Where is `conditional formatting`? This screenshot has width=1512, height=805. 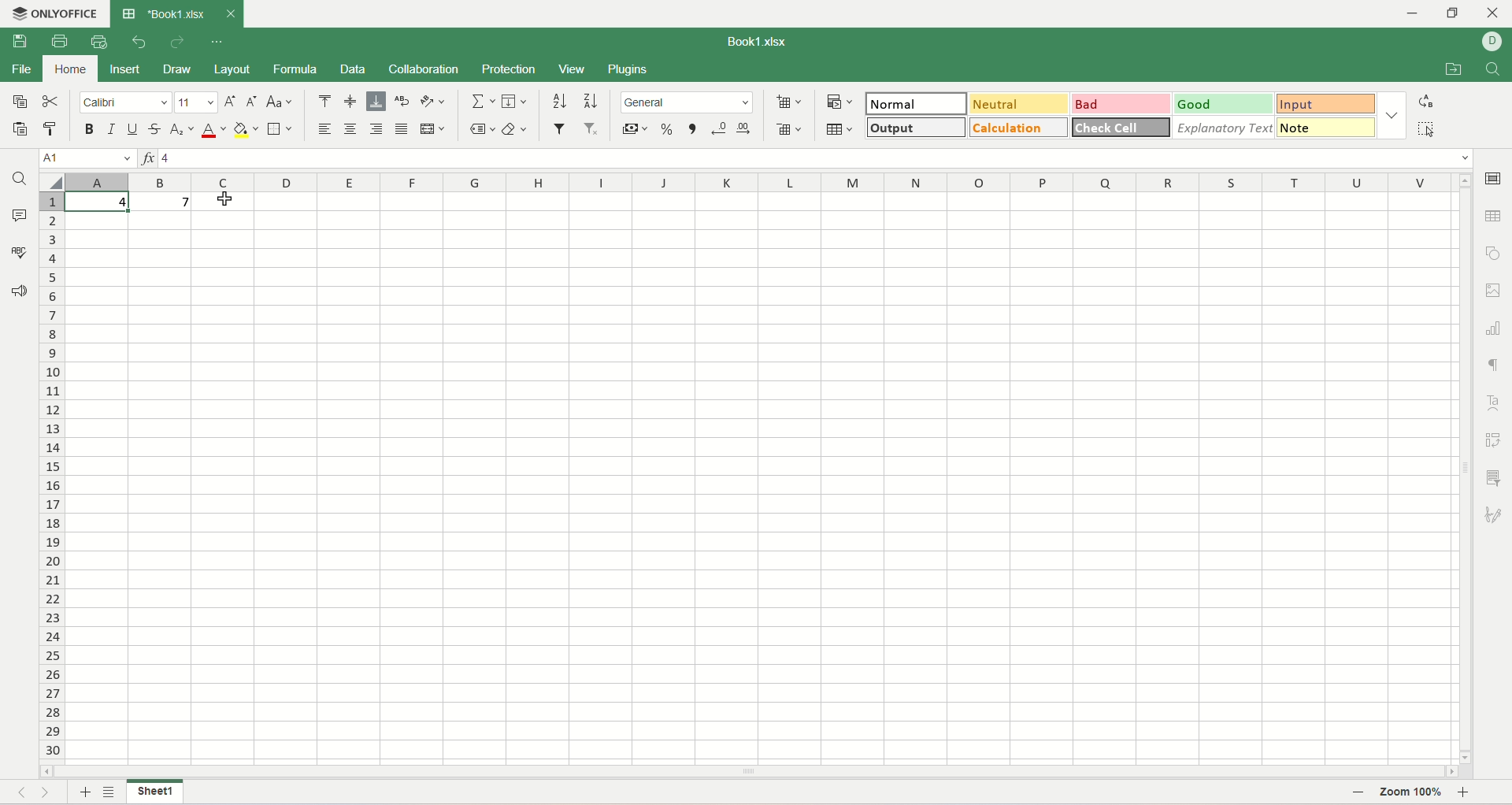
conditional formatting is located at coordinates (842, 99).